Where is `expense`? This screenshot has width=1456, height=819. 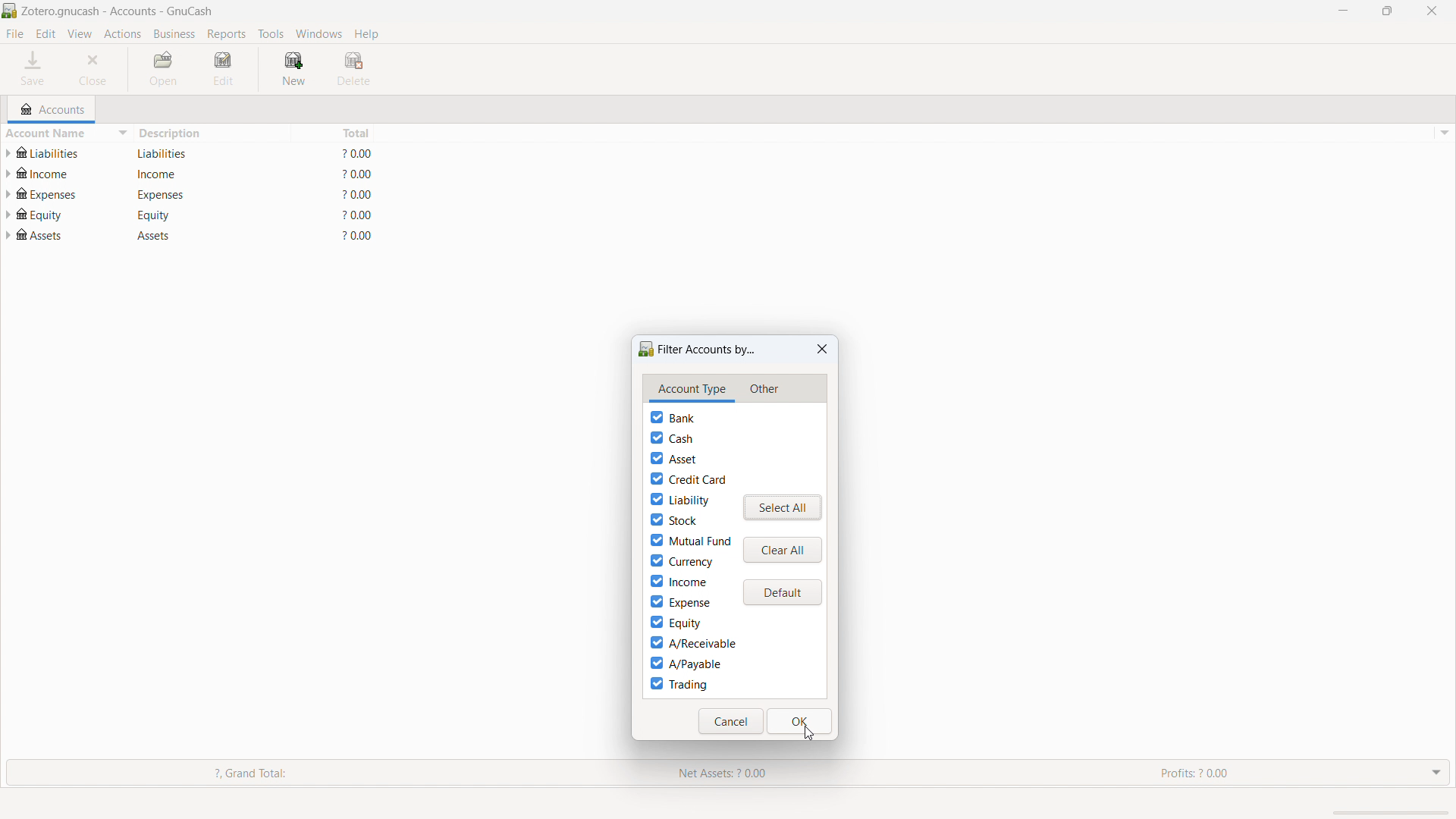
expense is located at coordinates (680, 602).